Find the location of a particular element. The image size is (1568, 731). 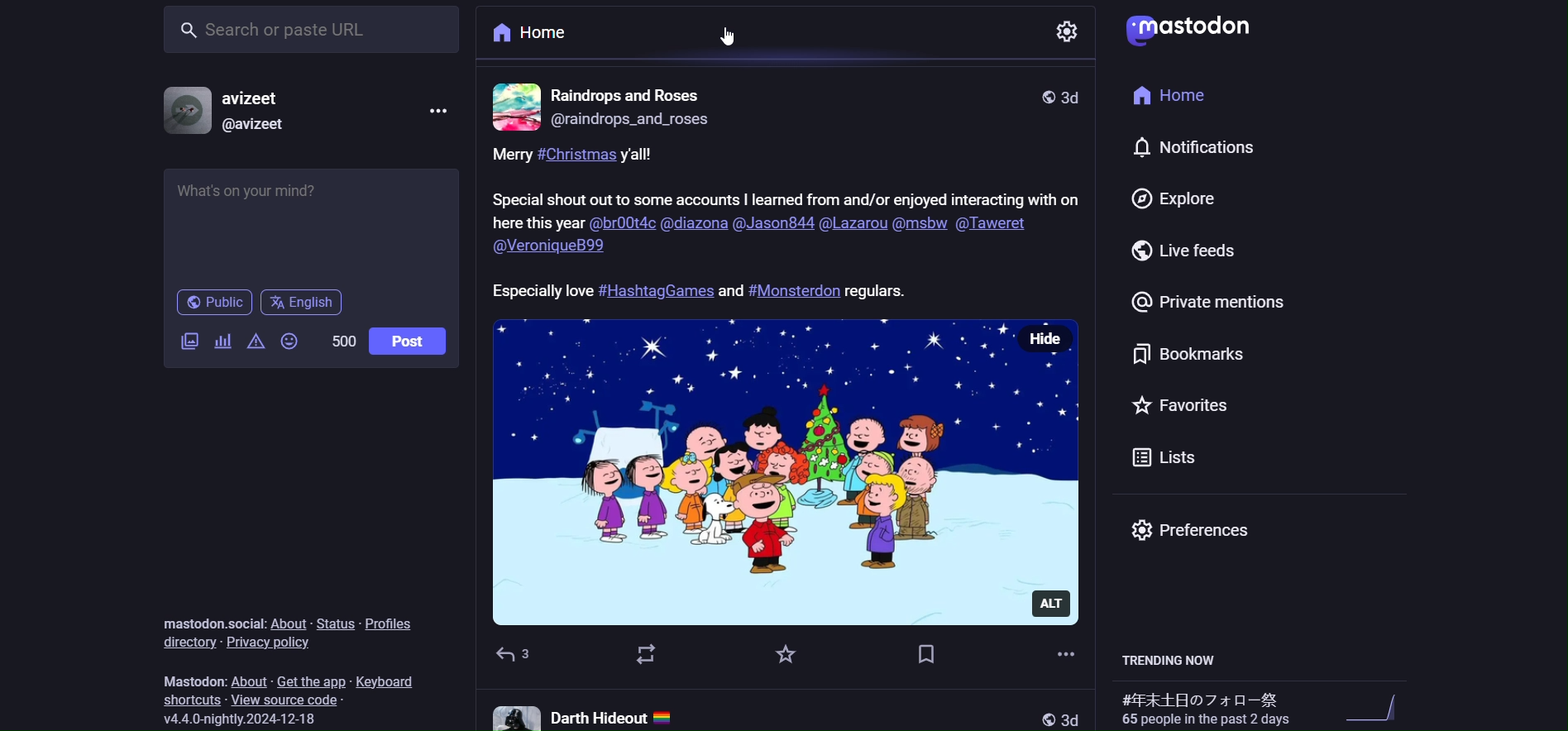

other post is located at coordinates (784, 710).